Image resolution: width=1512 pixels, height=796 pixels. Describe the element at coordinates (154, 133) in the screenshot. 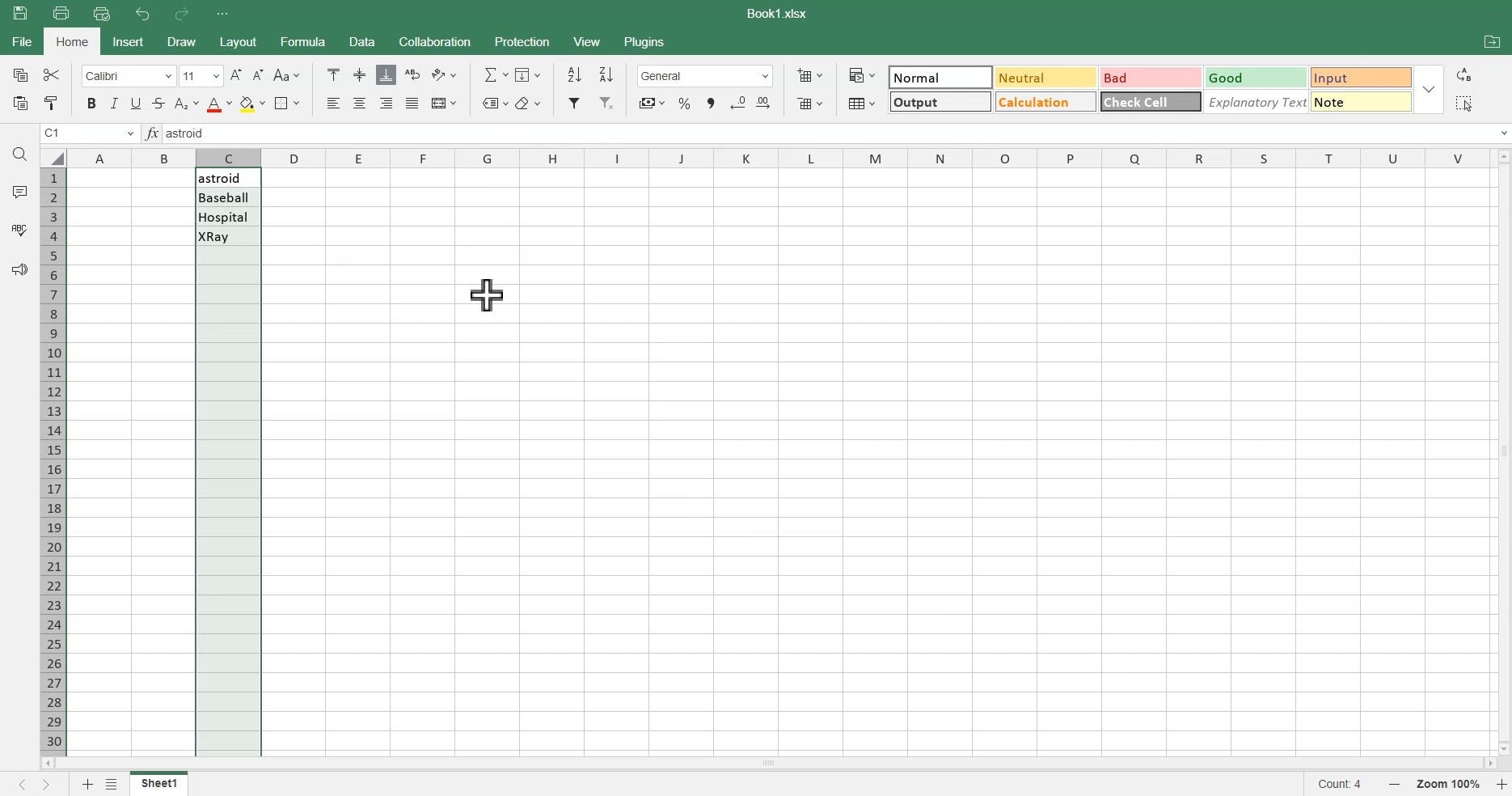

I see `Formula` at that location.